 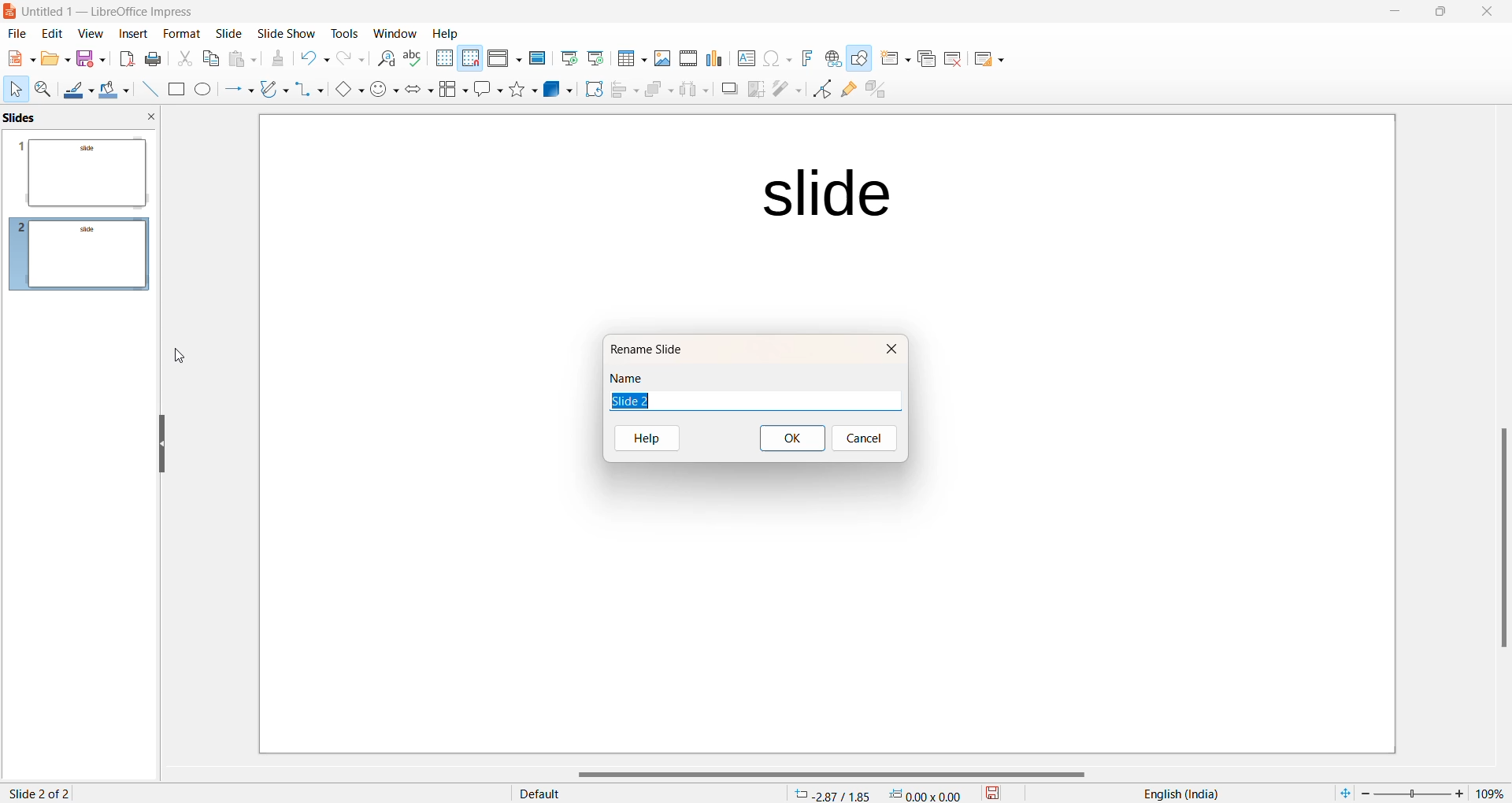 I want to click on Find and replace, so click(x=384, y=59).